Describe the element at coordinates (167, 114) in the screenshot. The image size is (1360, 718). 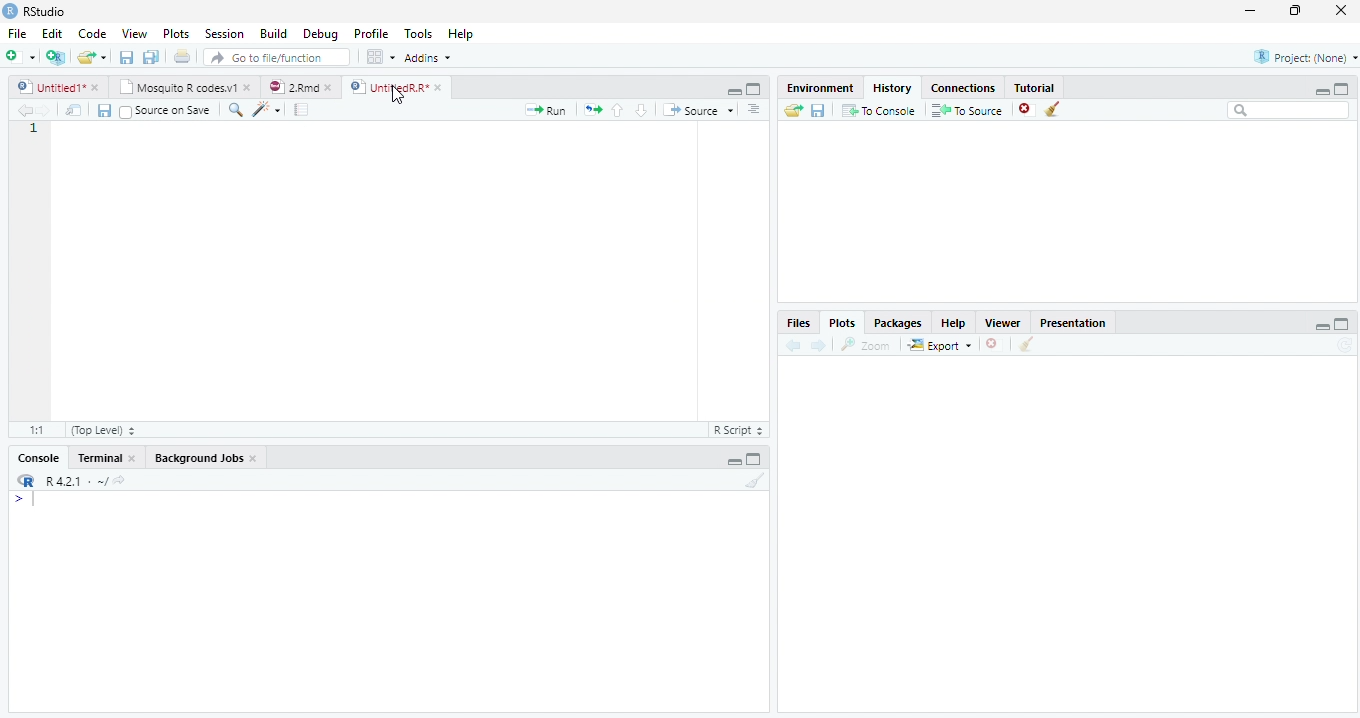
I see `Source on Save` at that location.